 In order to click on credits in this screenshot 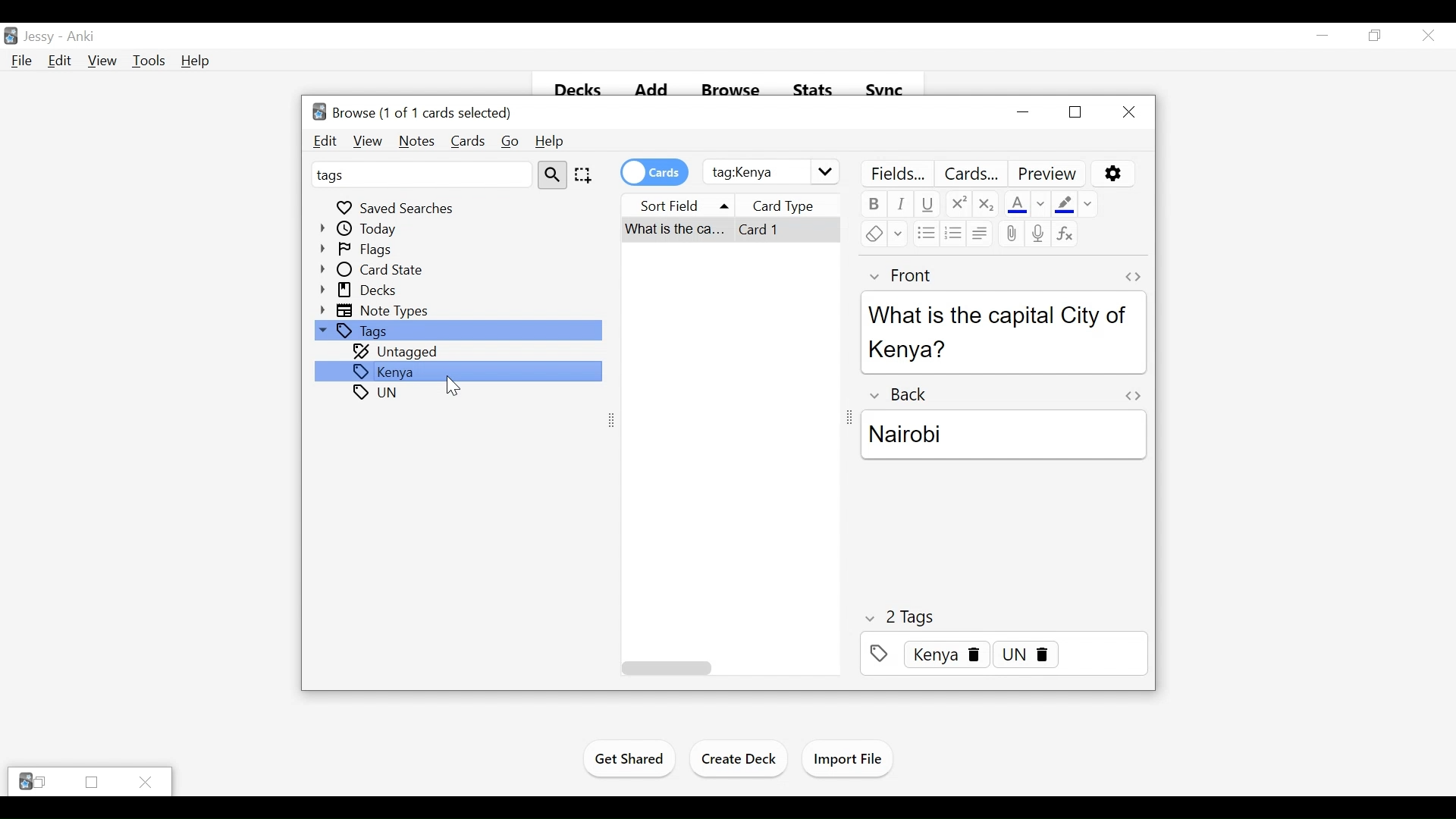, I will do `click(654, 171)`.